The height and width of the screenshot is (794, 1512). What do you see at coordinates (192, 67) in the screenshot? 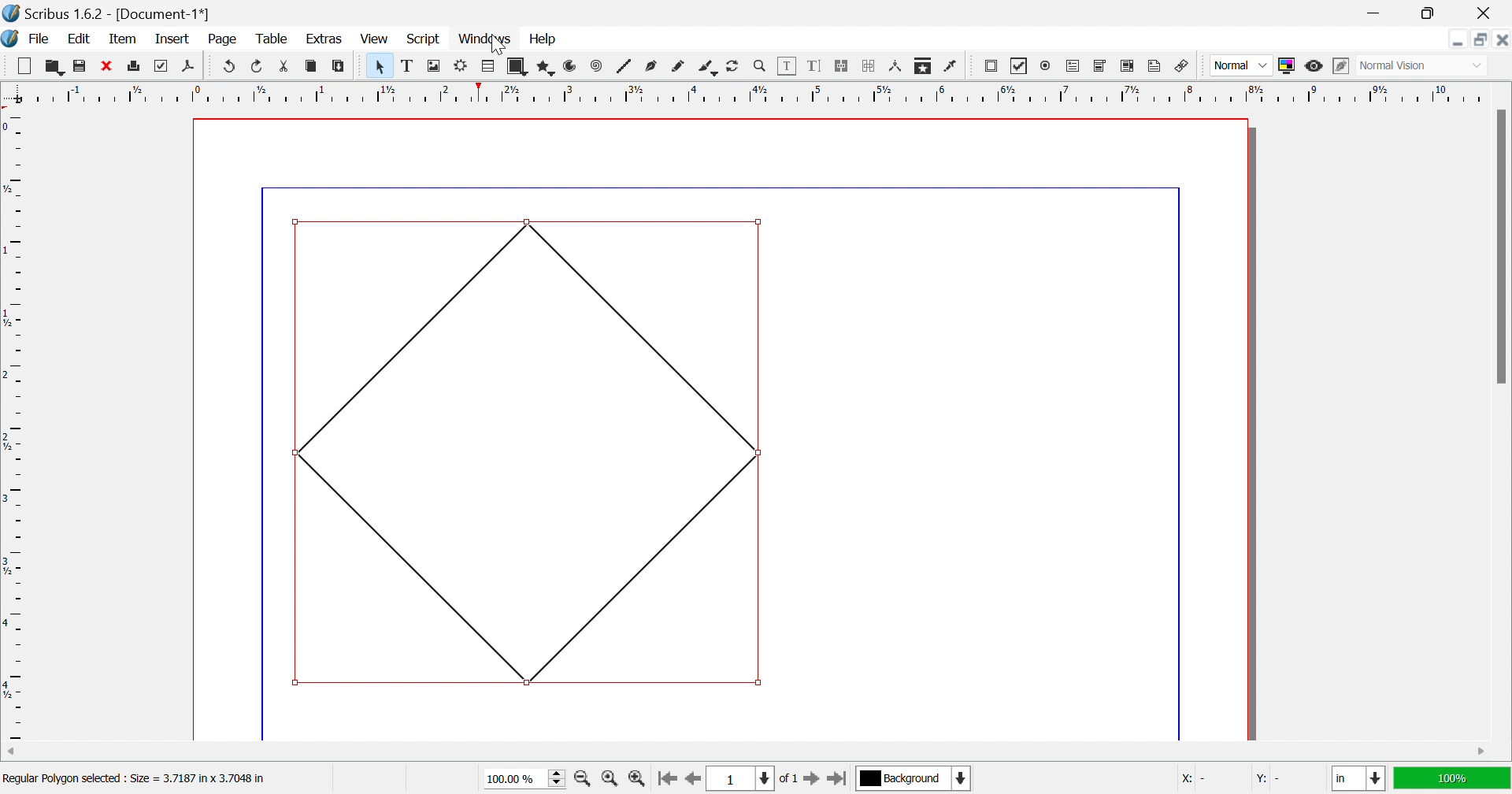
I see `Save as PDF` at bounding box center [192, 67].